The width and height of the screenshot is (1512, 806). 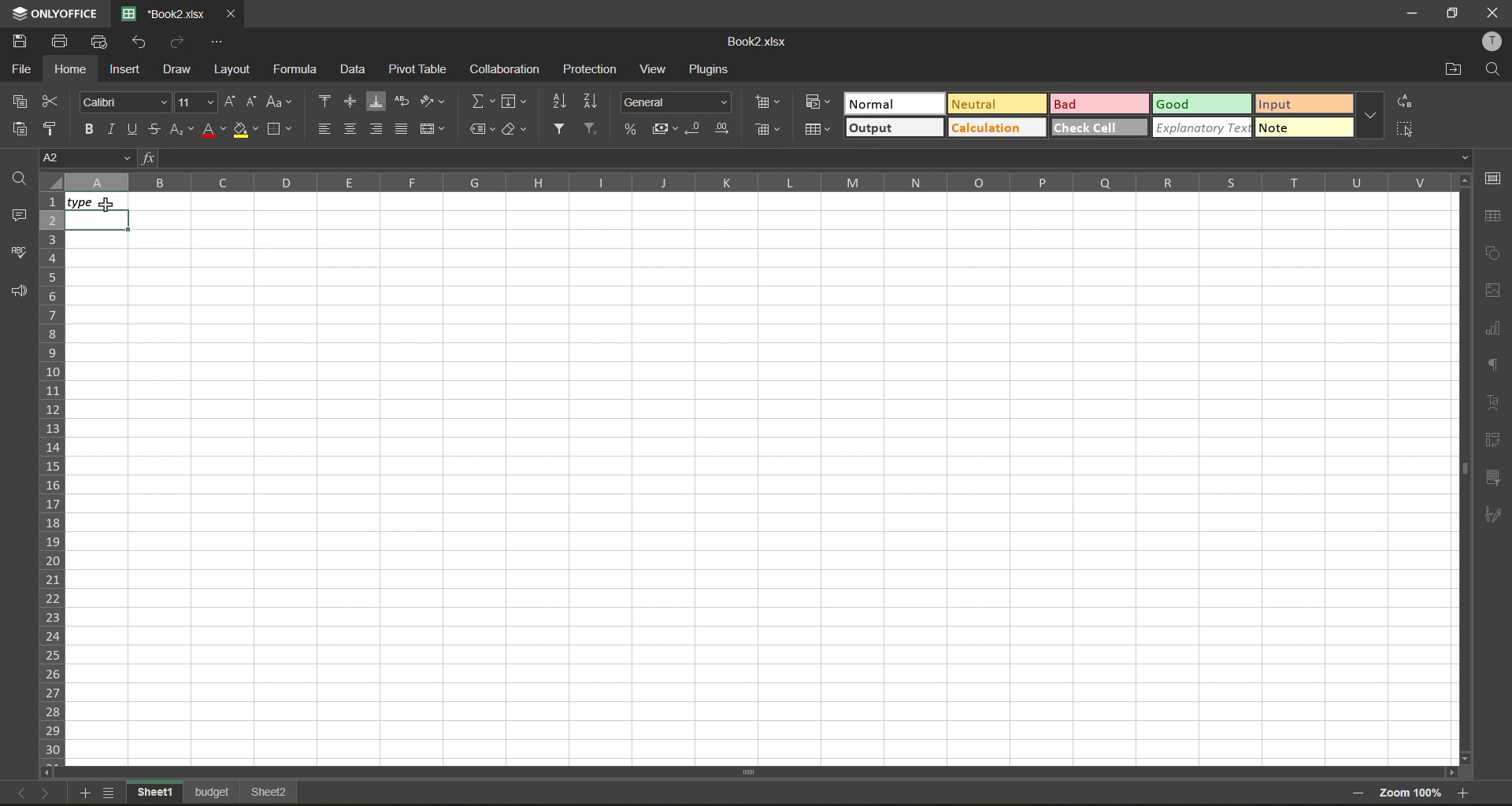 I want to click on borders, so click(x=279, y=131).